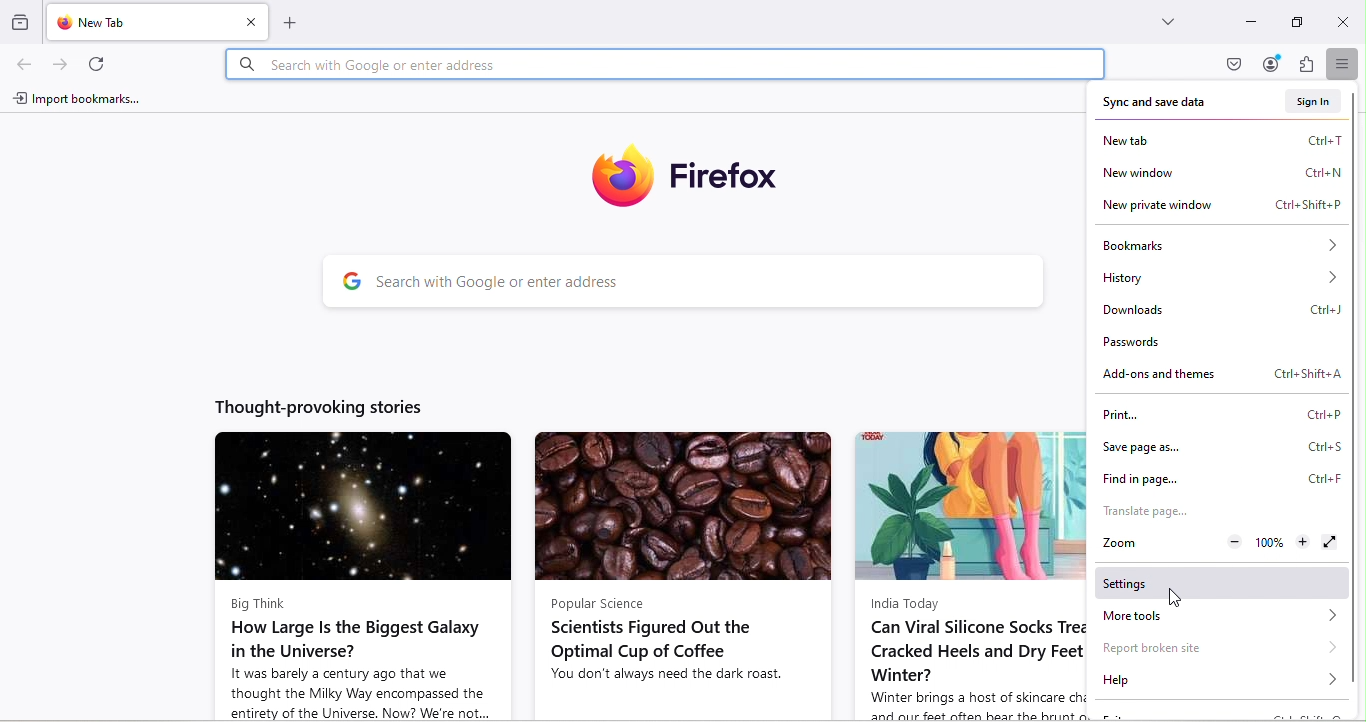 Image resolution: width=1366 pixels, height=722 pixels. Describe the element at coordinates (670, 649) in the screenshot. I see `Popular Science

Scientists Figured Out the
Optimal Cup of Coffee

You don't always need the dark roast.` at that location.